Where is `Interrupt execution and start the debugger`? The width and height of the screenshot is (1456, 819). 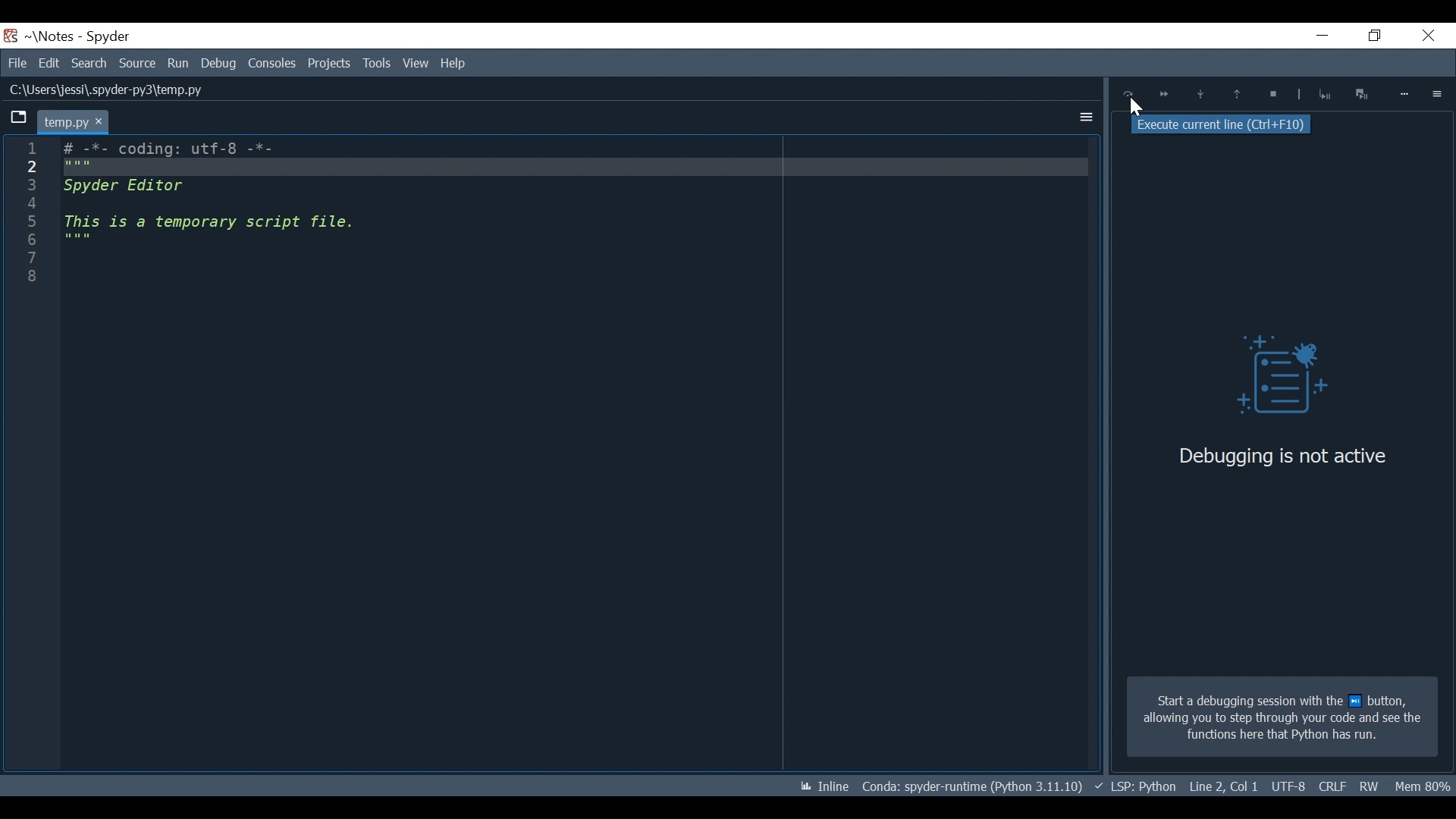 Interrupt execution and start the debugger is located at coordinates (1363, 93).